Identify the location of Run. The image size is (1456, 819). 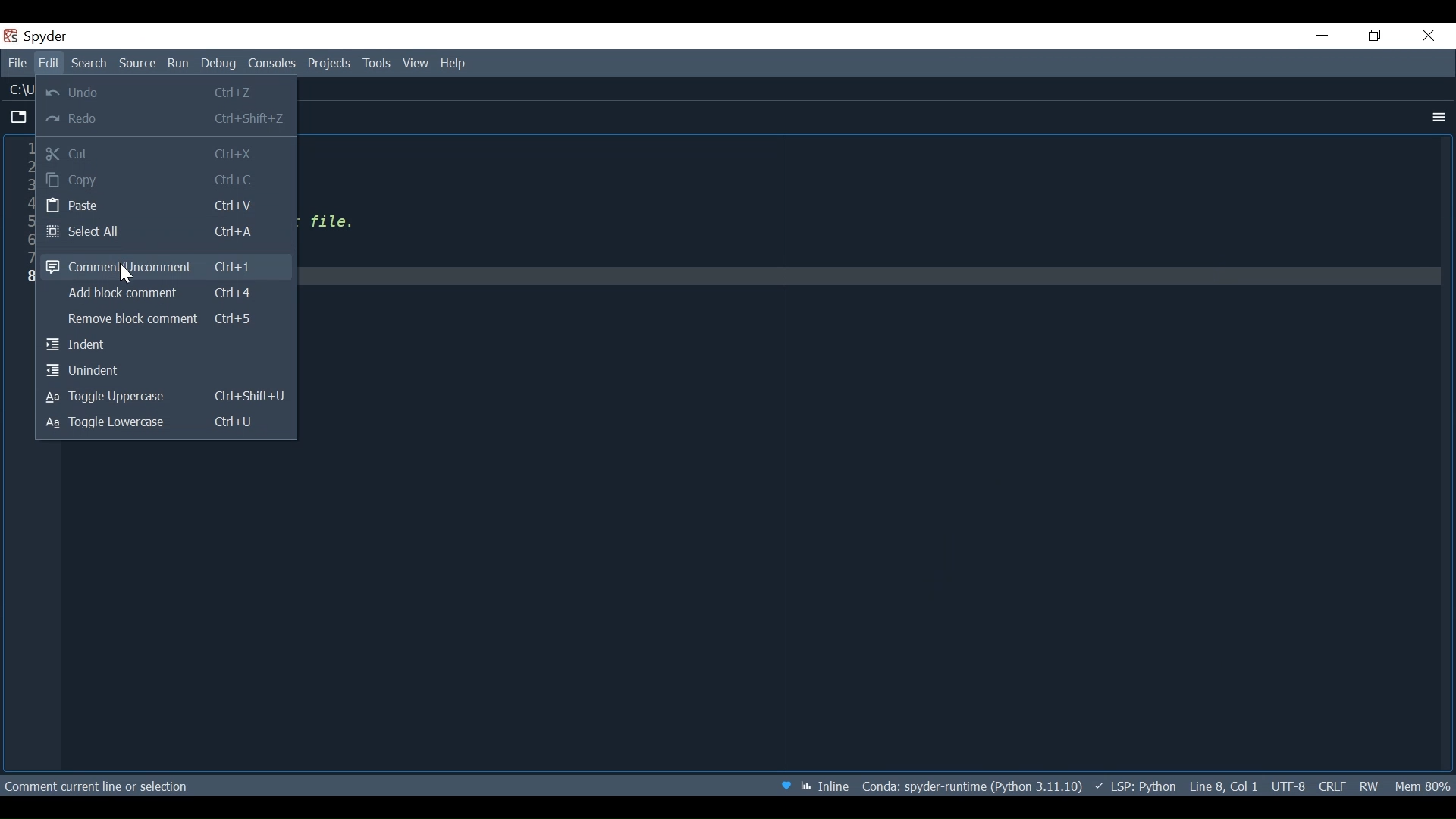
(179, 64).